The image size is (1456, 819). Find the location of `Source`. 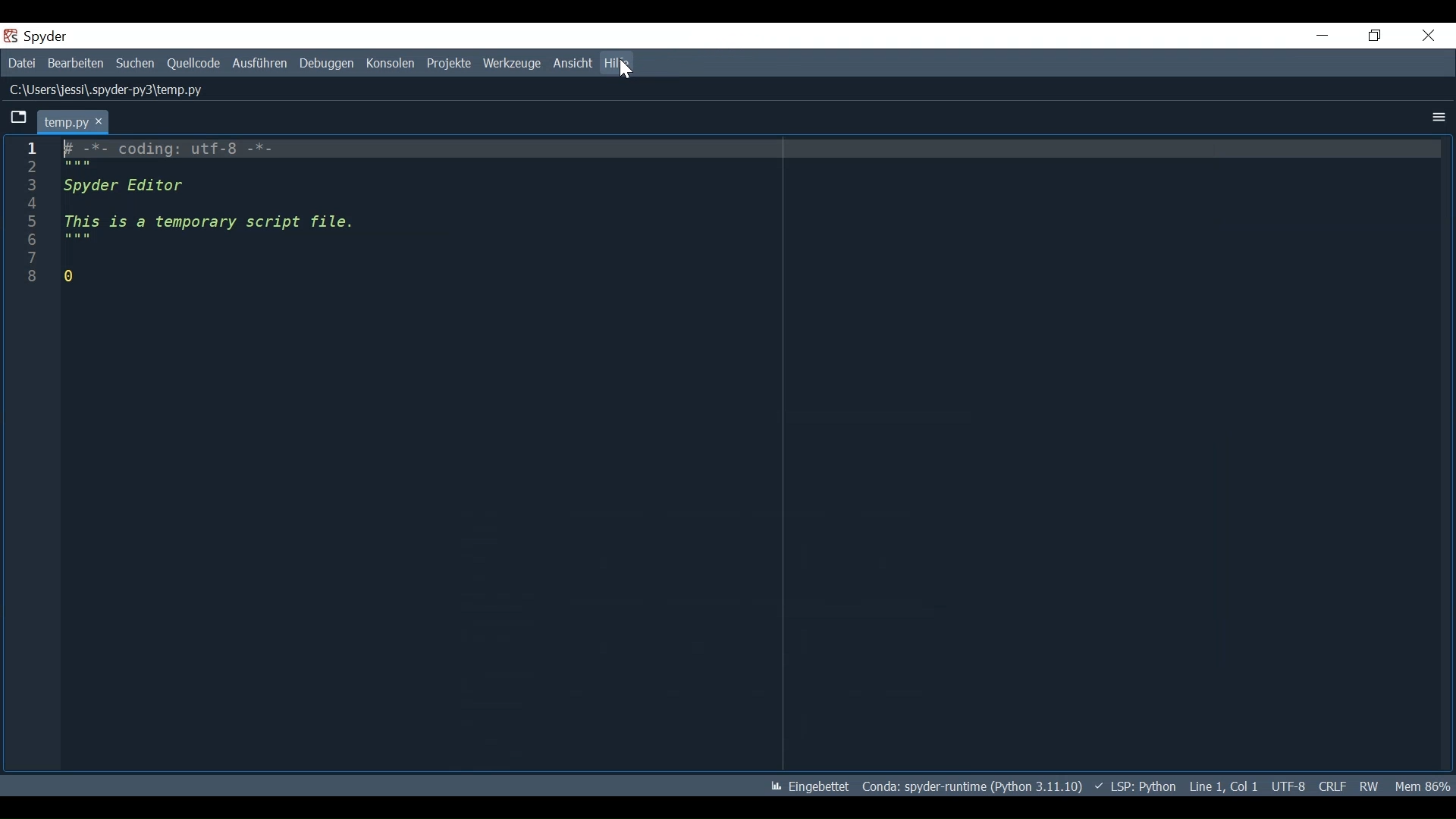

Source is located at coordinates (194, 64).